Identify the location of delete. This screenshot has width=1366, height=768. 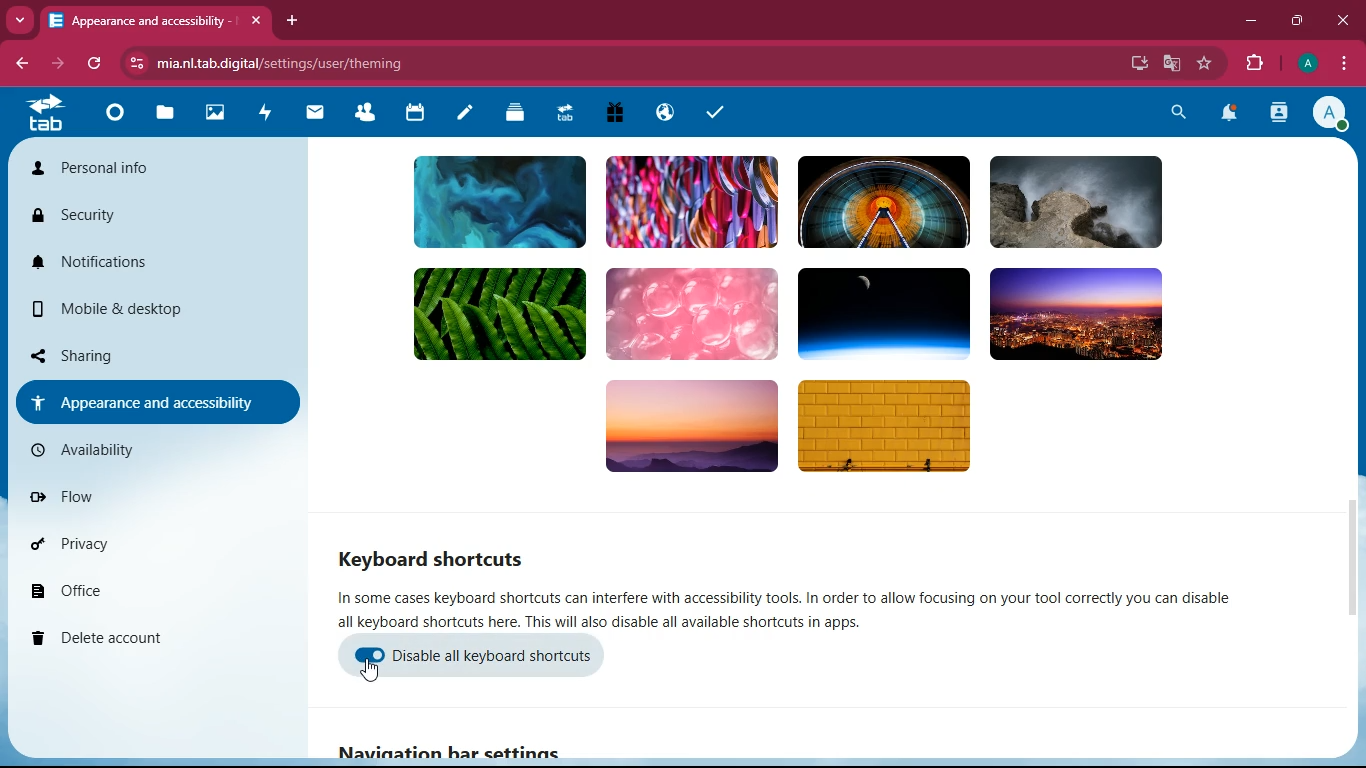
(161, 641).